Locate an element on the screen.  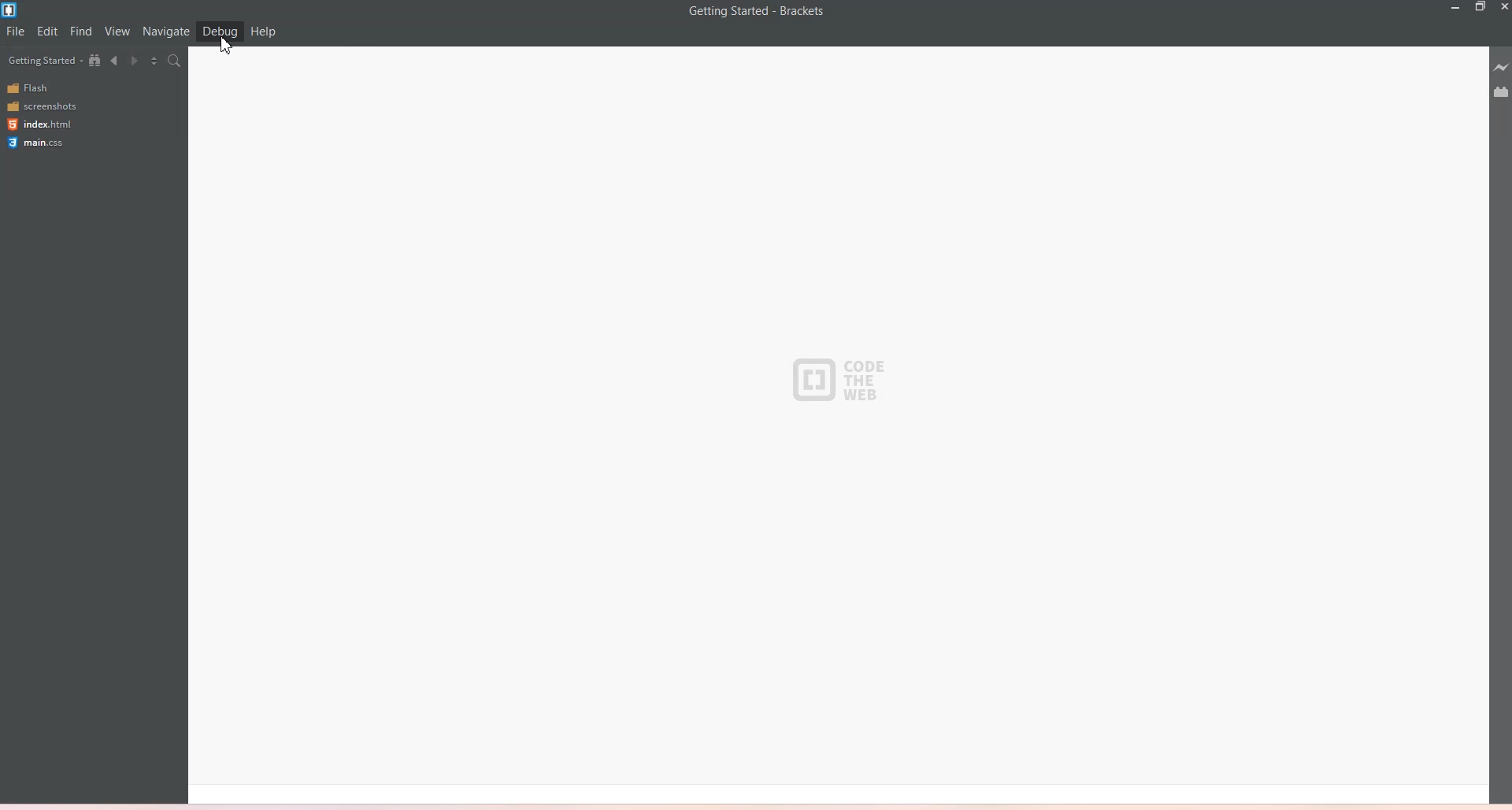
Find is located at coordinates (82, 32).